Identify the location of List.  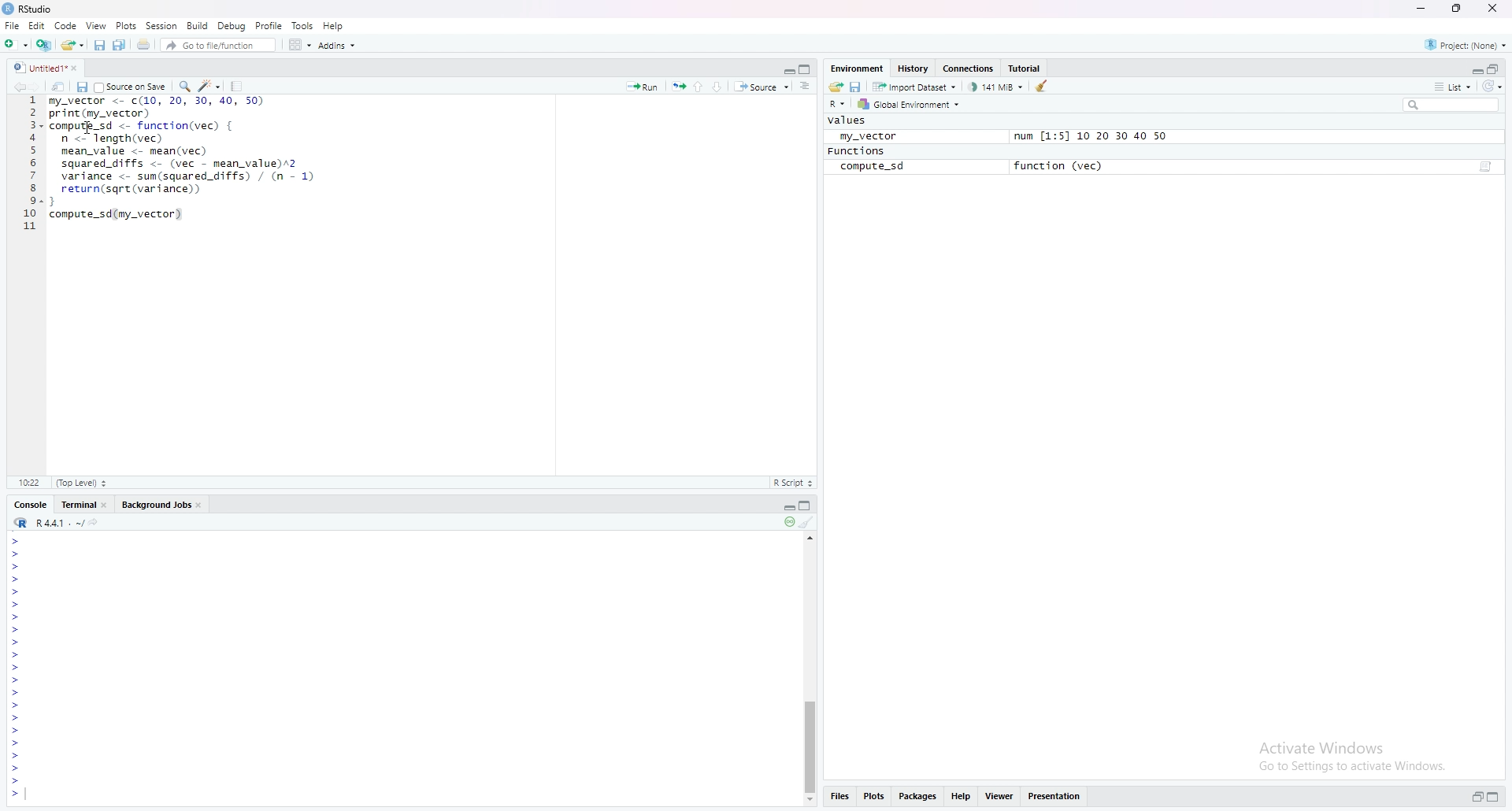
(1451, 86).